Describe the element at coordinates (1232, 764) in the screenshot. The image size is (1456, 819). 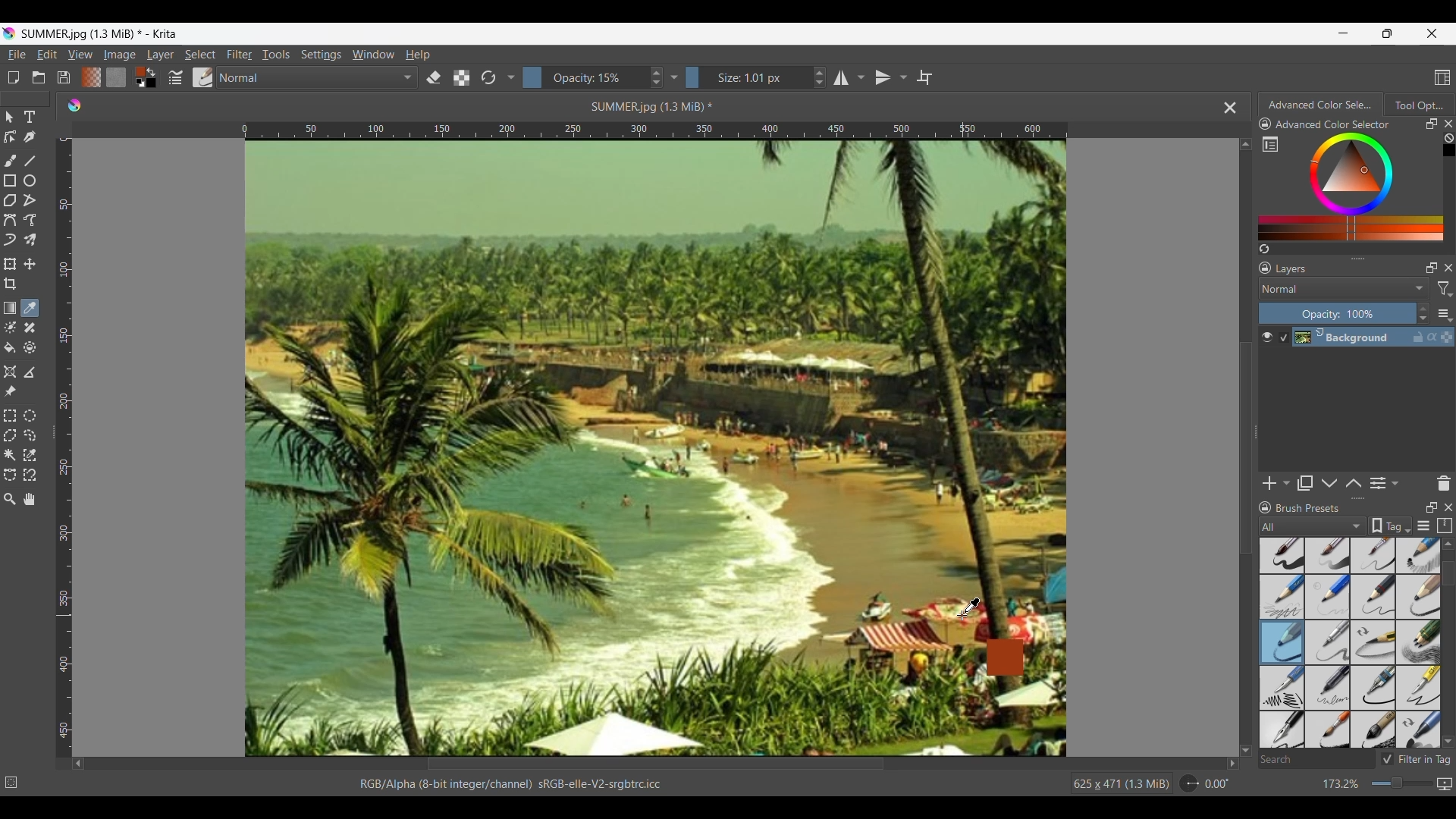
I see `Quick slide to right` at that location.